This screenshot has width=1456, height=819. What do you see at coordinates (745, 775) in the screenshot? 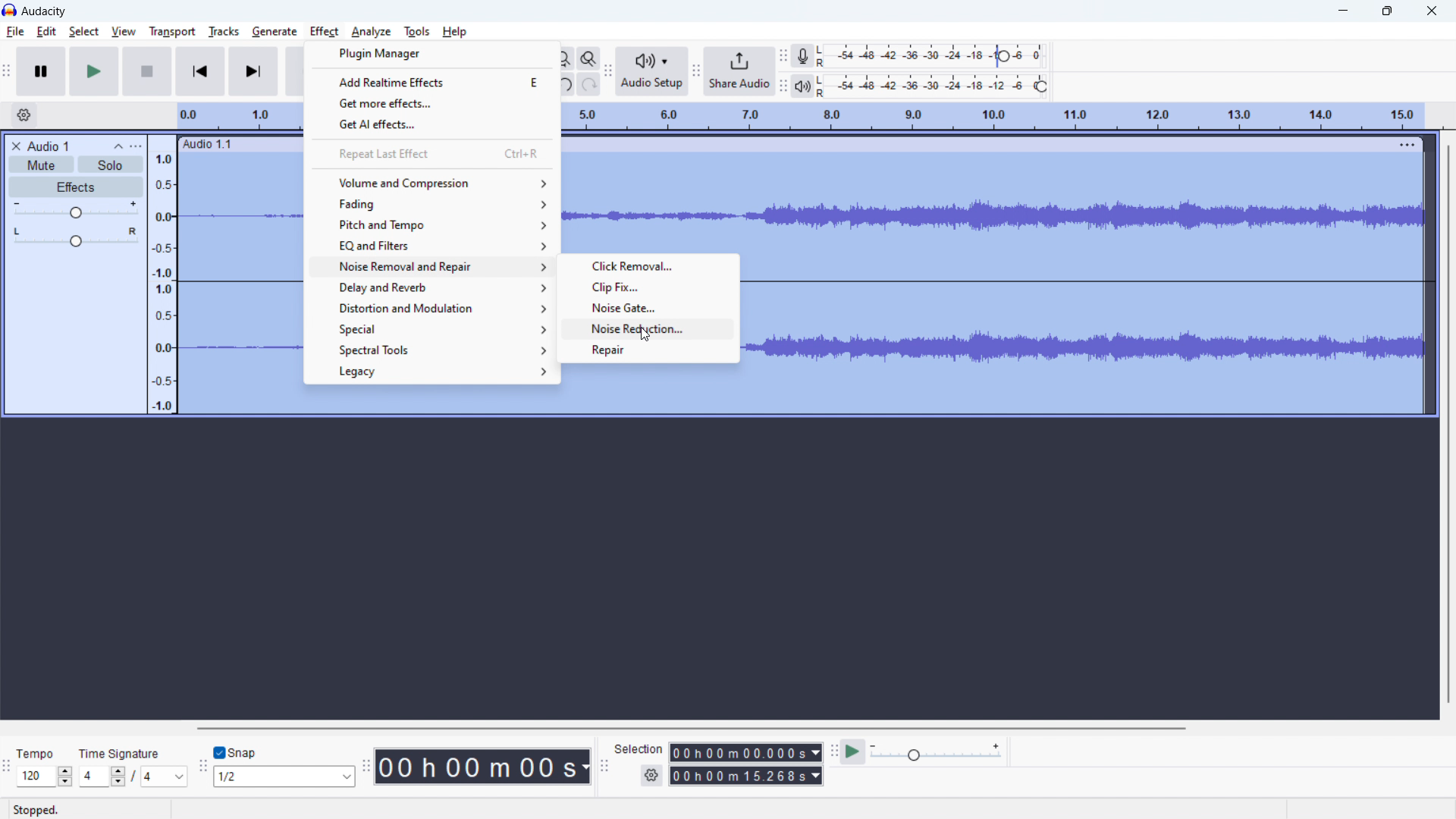
I see `end time` at bounding box center [745, 775].